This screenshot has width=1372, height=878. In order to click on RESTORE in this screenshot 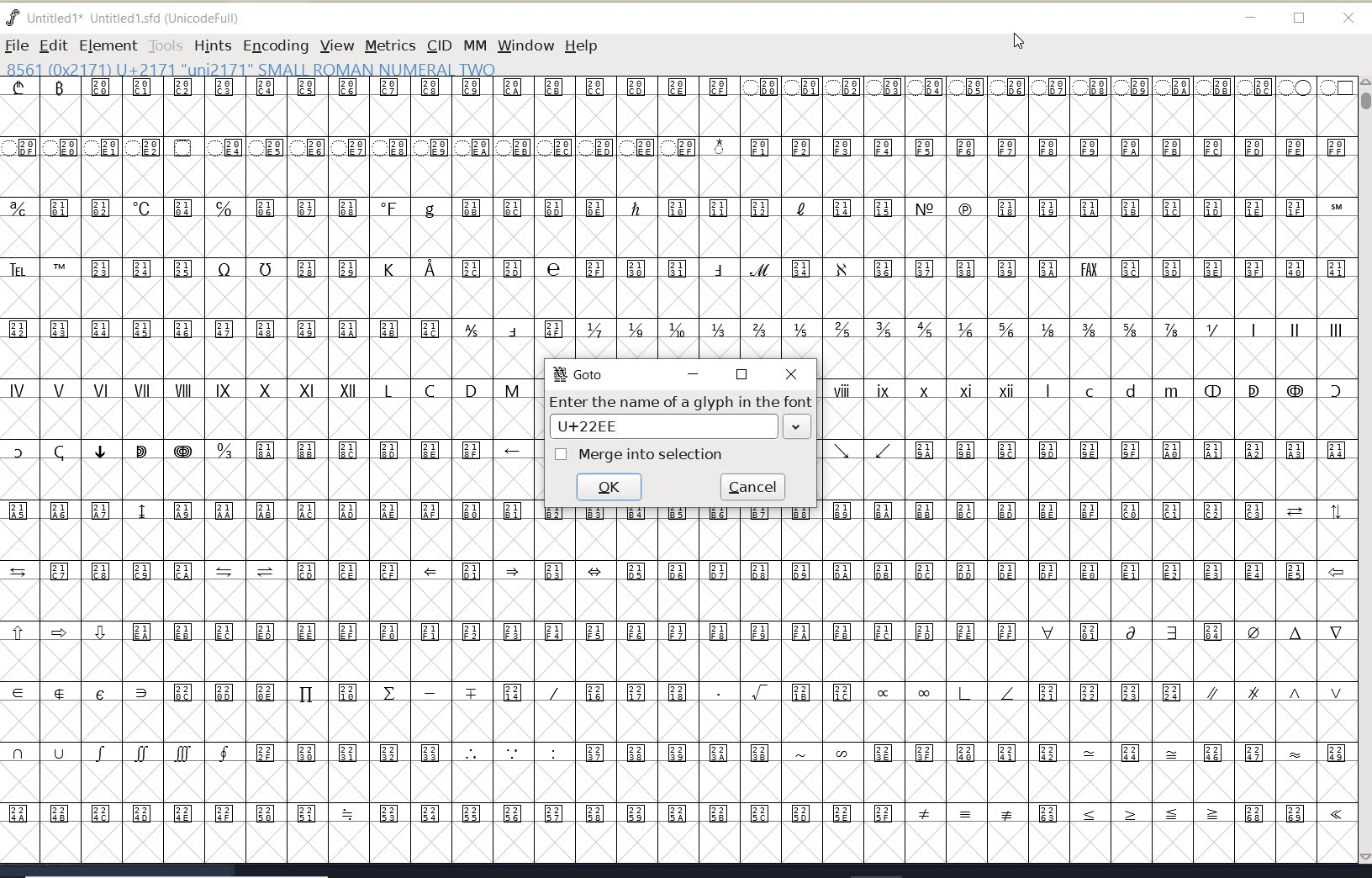, I will do `click(742, 376)`.